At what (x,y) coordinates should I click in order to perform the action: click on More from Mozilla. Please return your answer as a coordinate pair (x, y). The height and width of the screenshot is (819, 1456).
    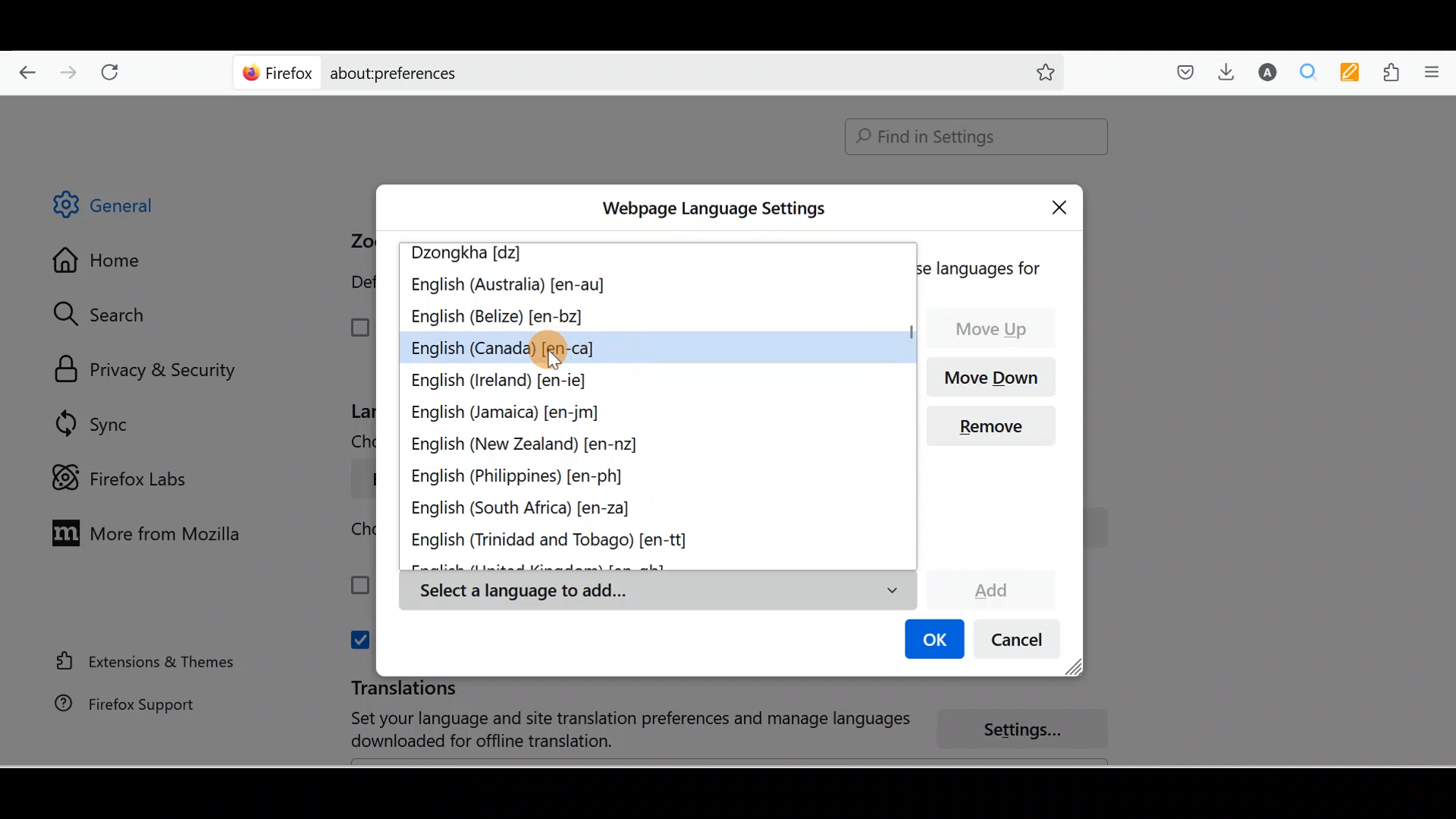
    Looking at the image, I should click on (142, 532).